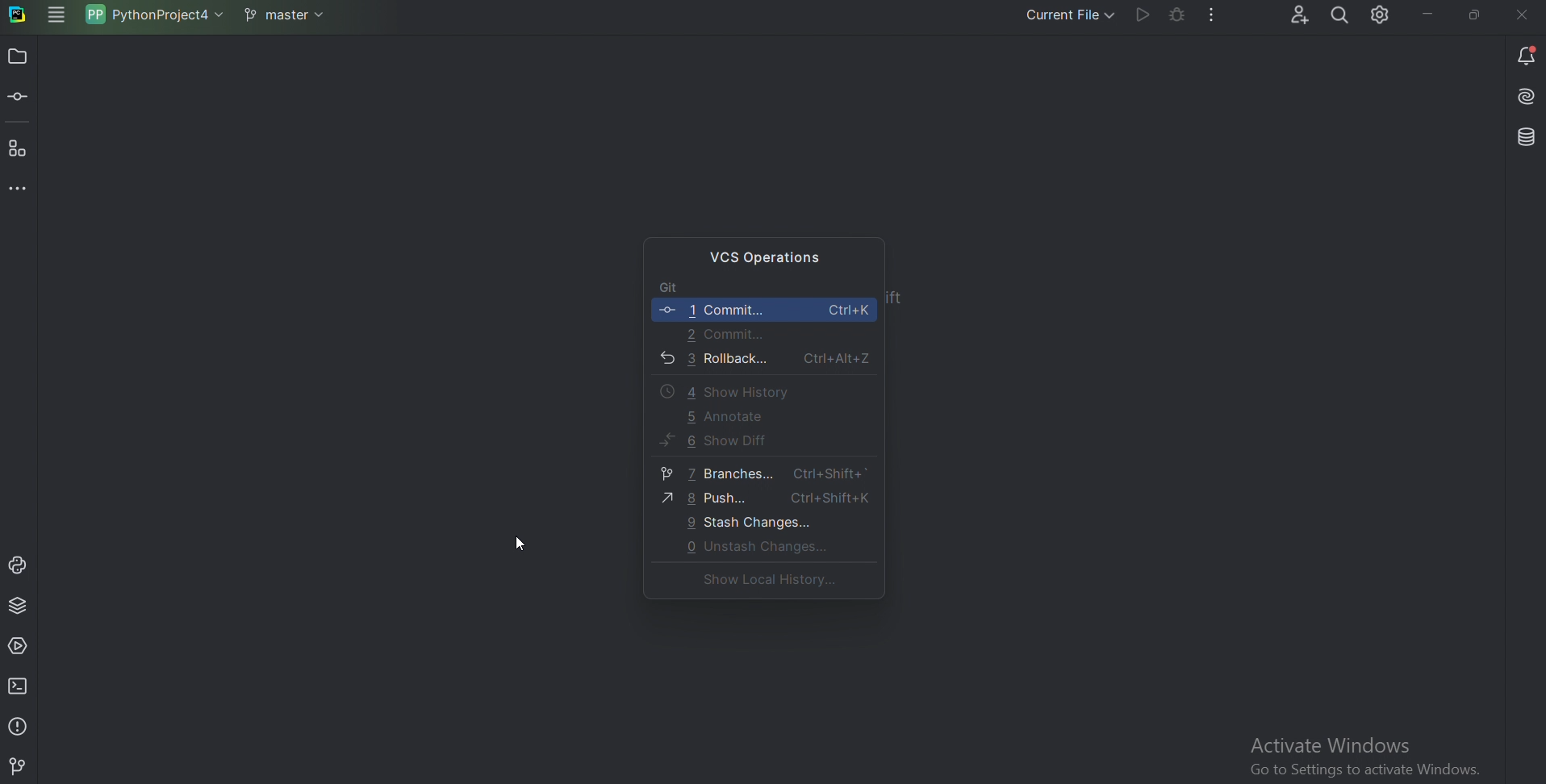 The height and width of the screenshot is (784, 1546). Describe the element at coordinates (1519, 15) in the screenshot. I see `Cross` at that location.